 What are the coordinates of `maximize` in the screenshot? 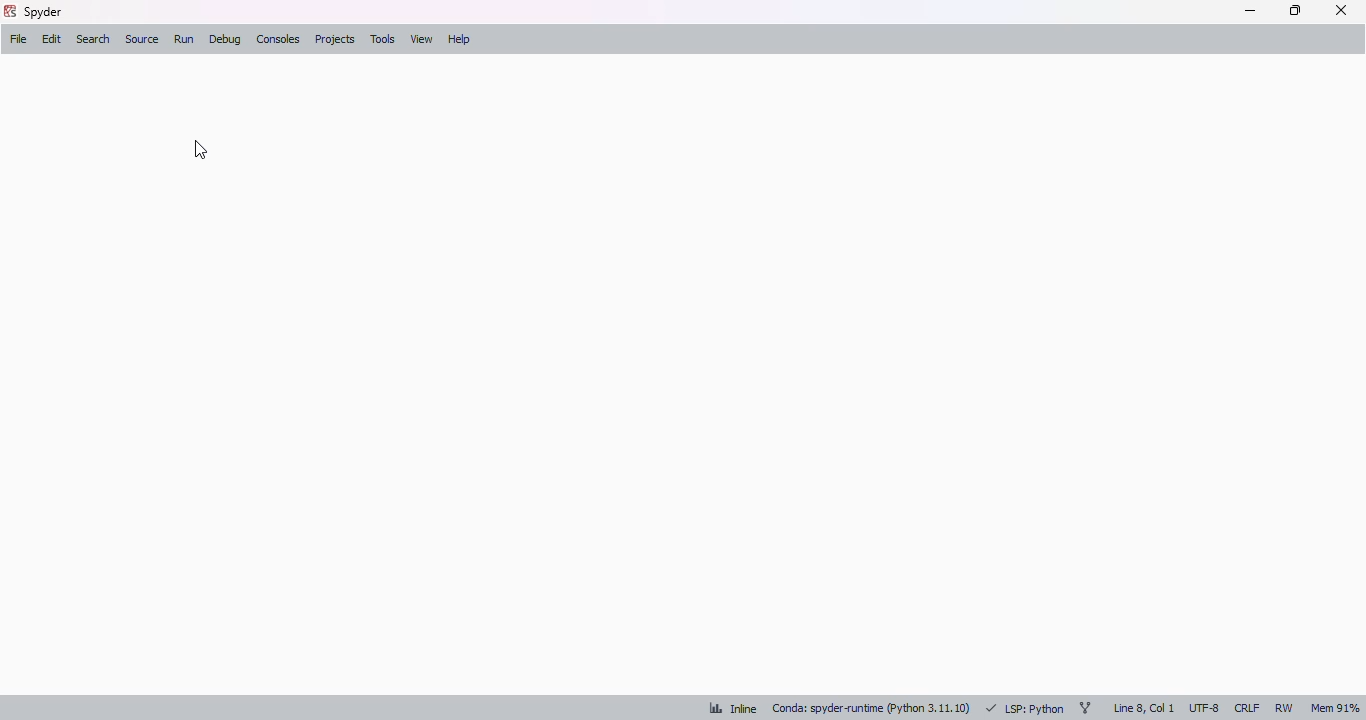 It's located at (1295, 10).